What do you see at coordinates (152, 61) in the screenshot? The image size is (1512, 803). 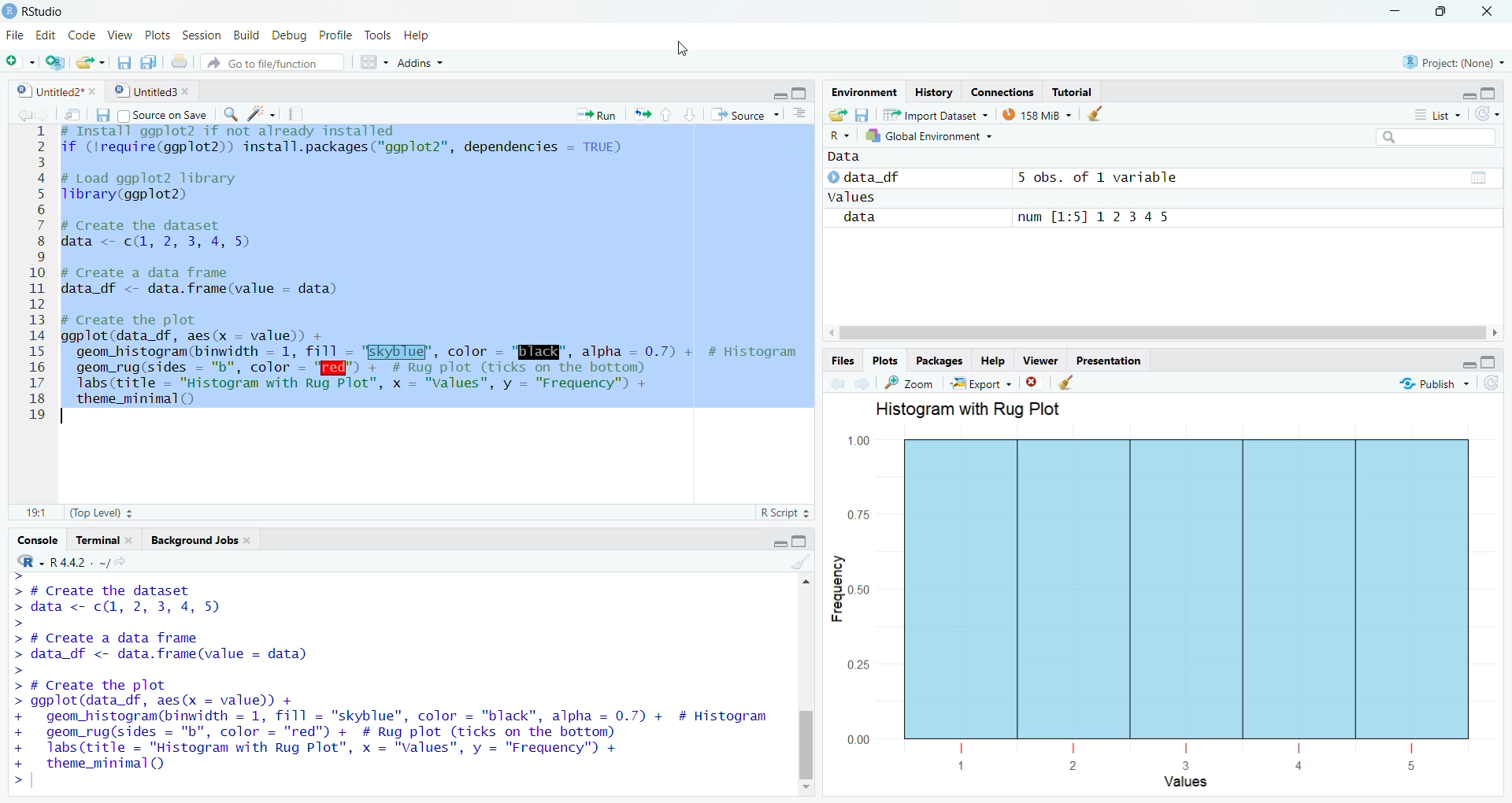 I see `Save all documents` at bounding box center [152, 61].